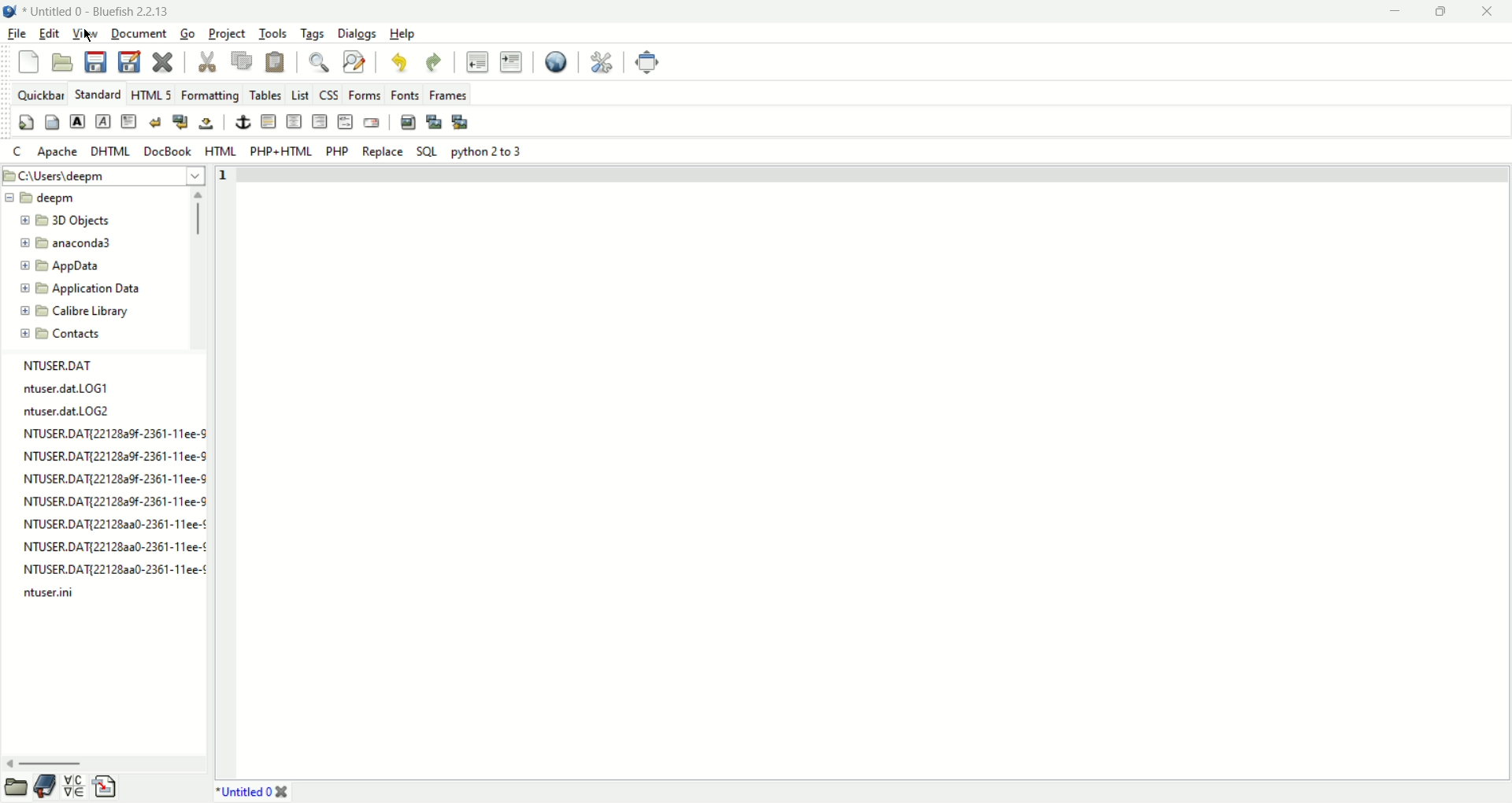  I want to click on scroll bar, so click(106, 765).